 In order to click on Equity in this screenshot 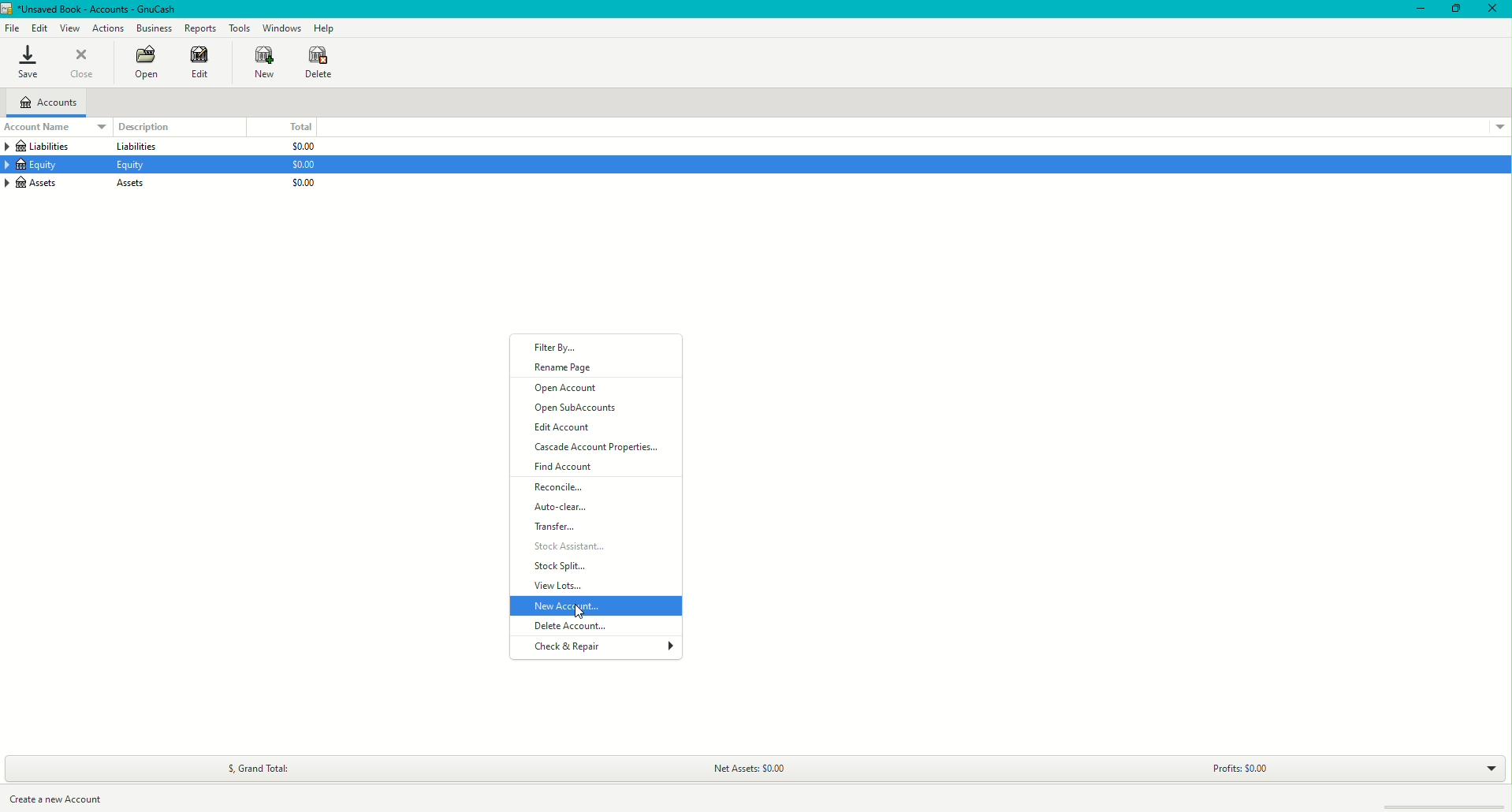, I will do `click(40, 166)`.